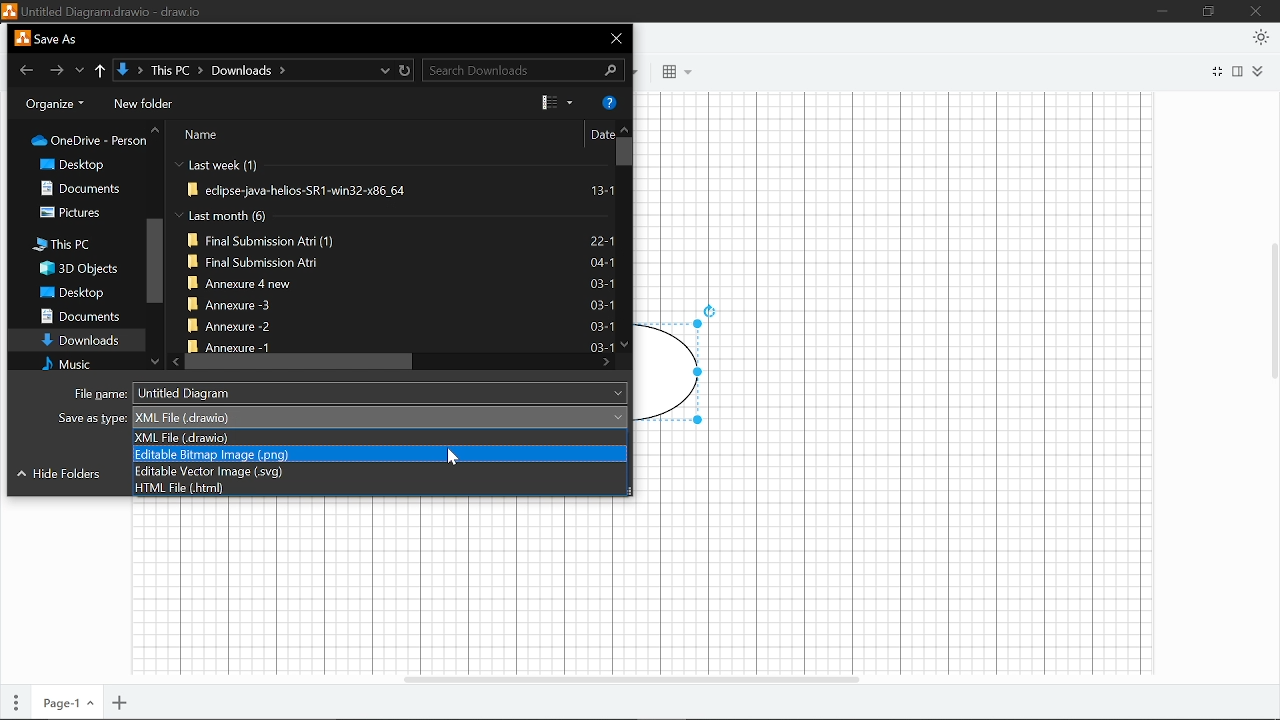  I want to click on Collapse, so click(1259, 71).